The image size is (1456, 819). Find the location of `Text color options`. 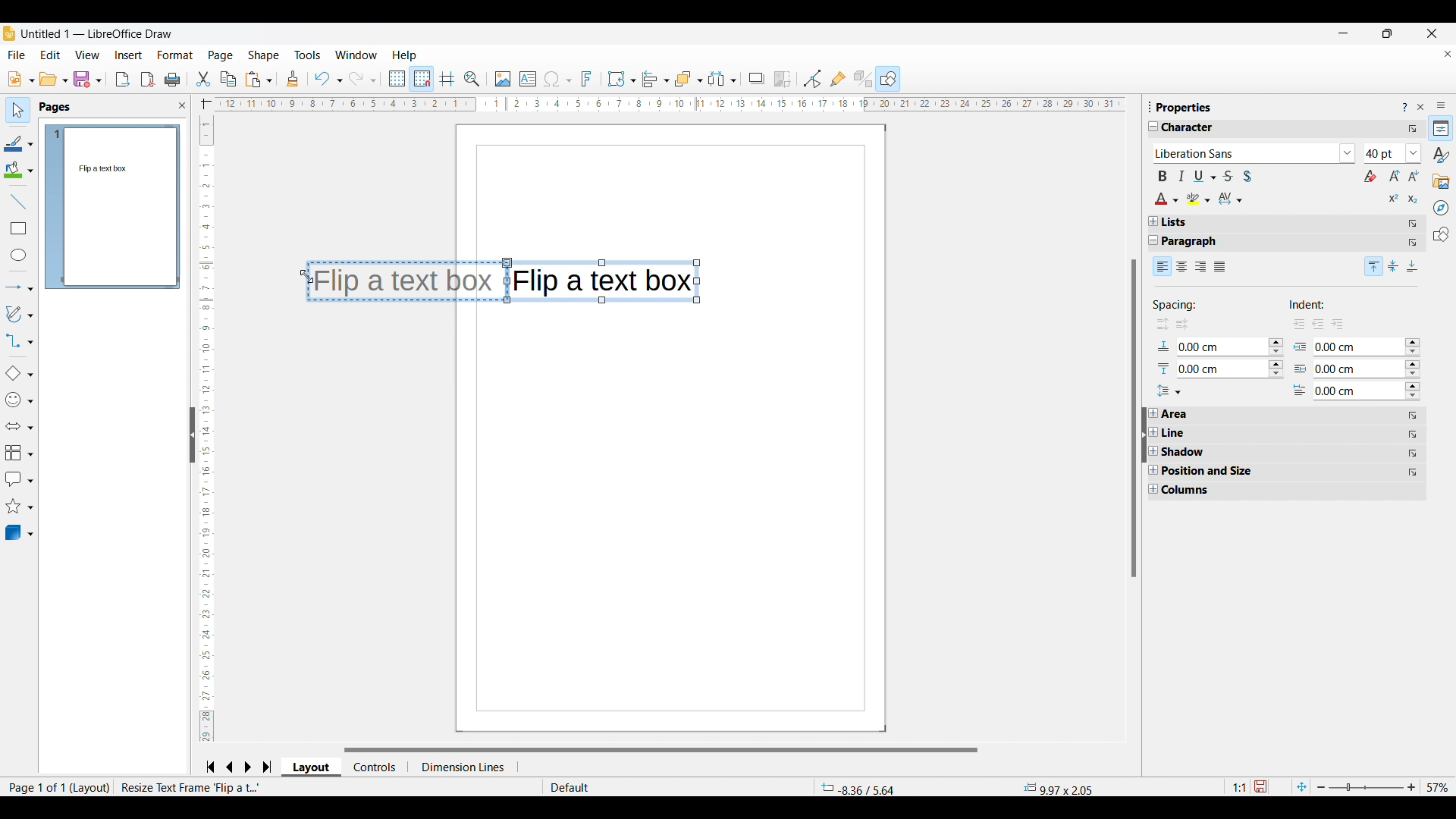

Text color options is located at coordinates (1167, 199).